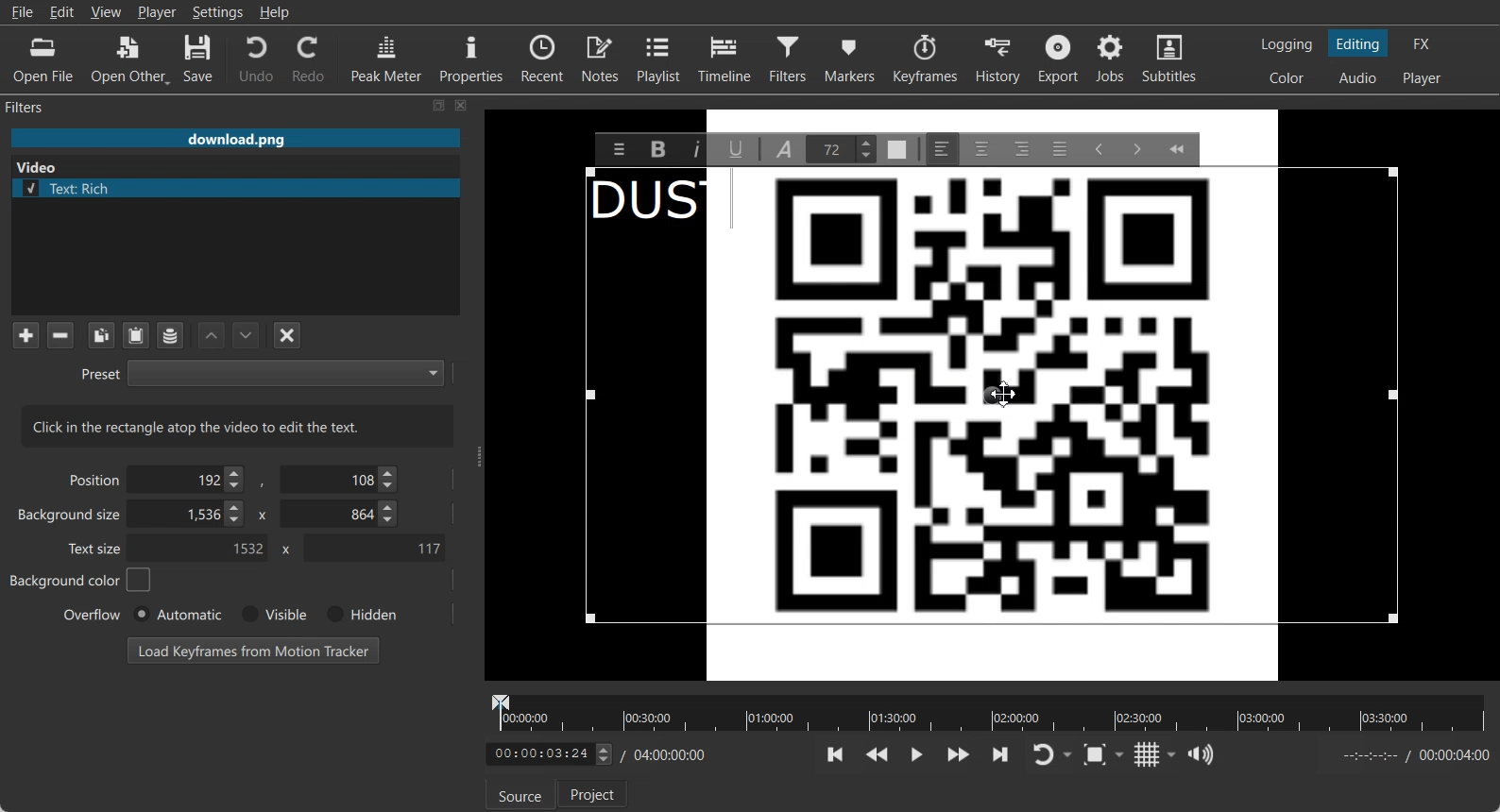 This screenshot has width=1500, height=812. Describe the element at coordinates (619, 148) in the screenshot. I see `Menu` at that location.